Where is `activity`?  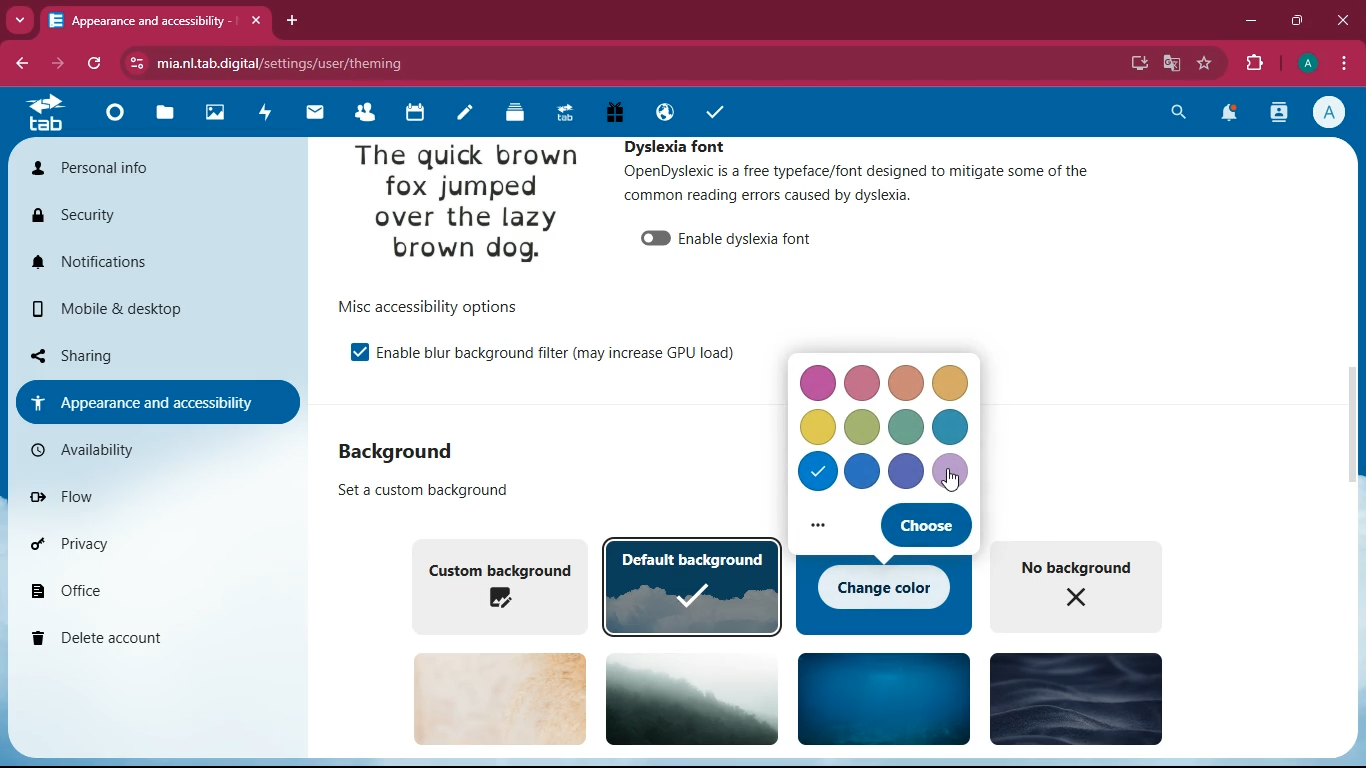 activity is located at coordinates (1281, 112).